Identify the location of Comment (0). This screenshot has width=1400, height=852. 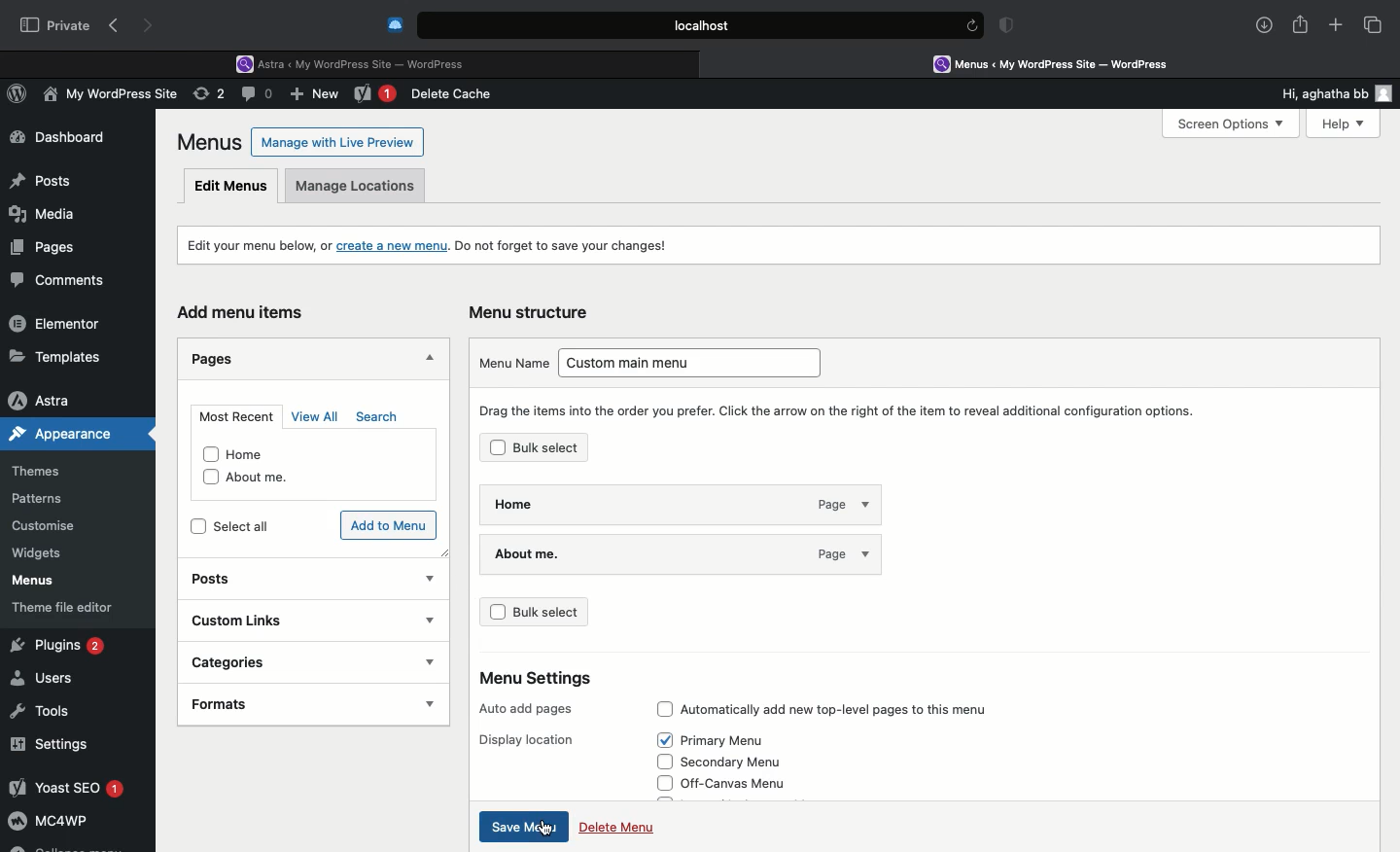
(260, 93).